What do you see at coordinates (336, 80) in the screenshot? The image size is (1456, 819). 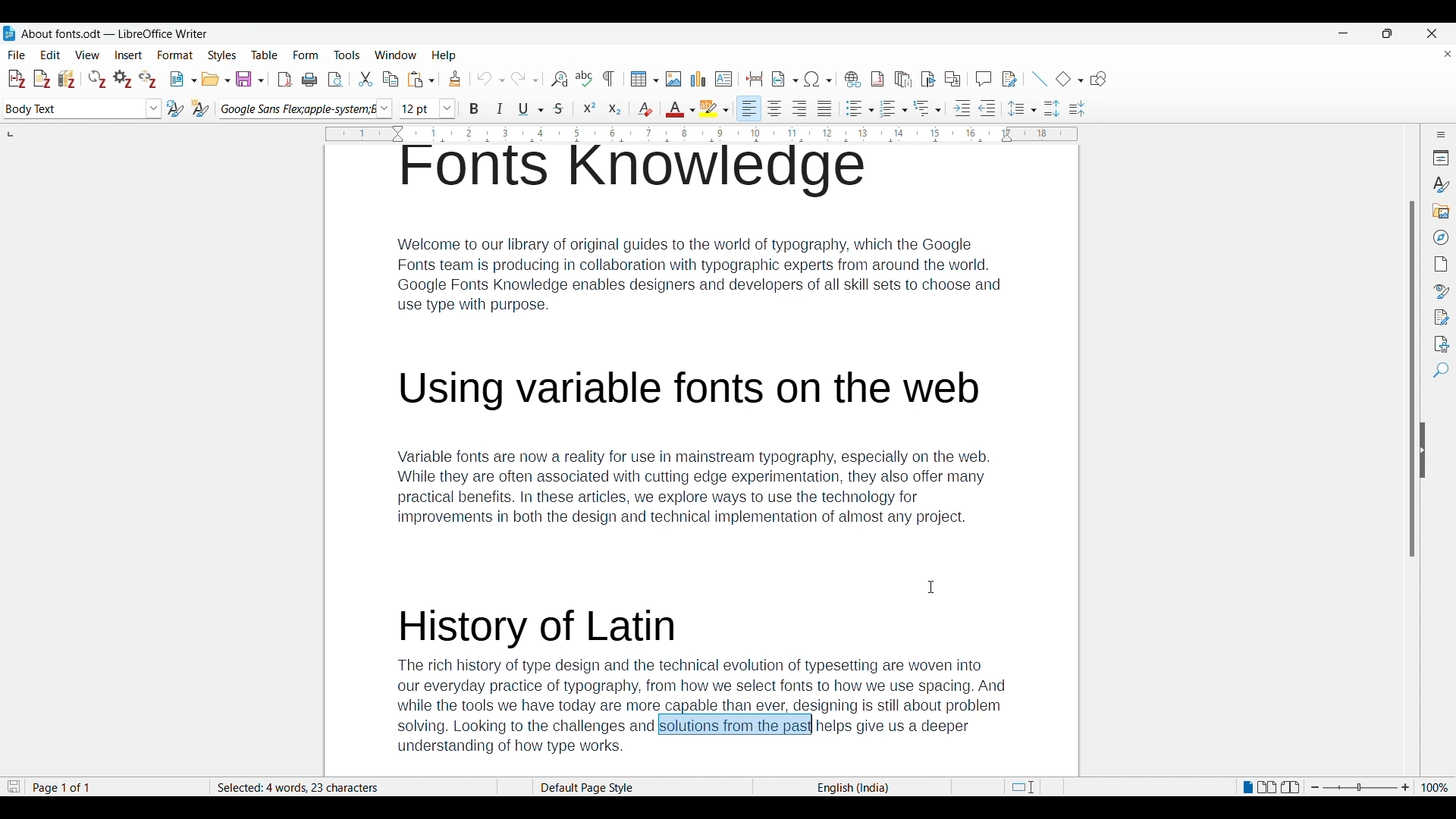 I see `Toggle print preview` at bounding box center [336, 80].